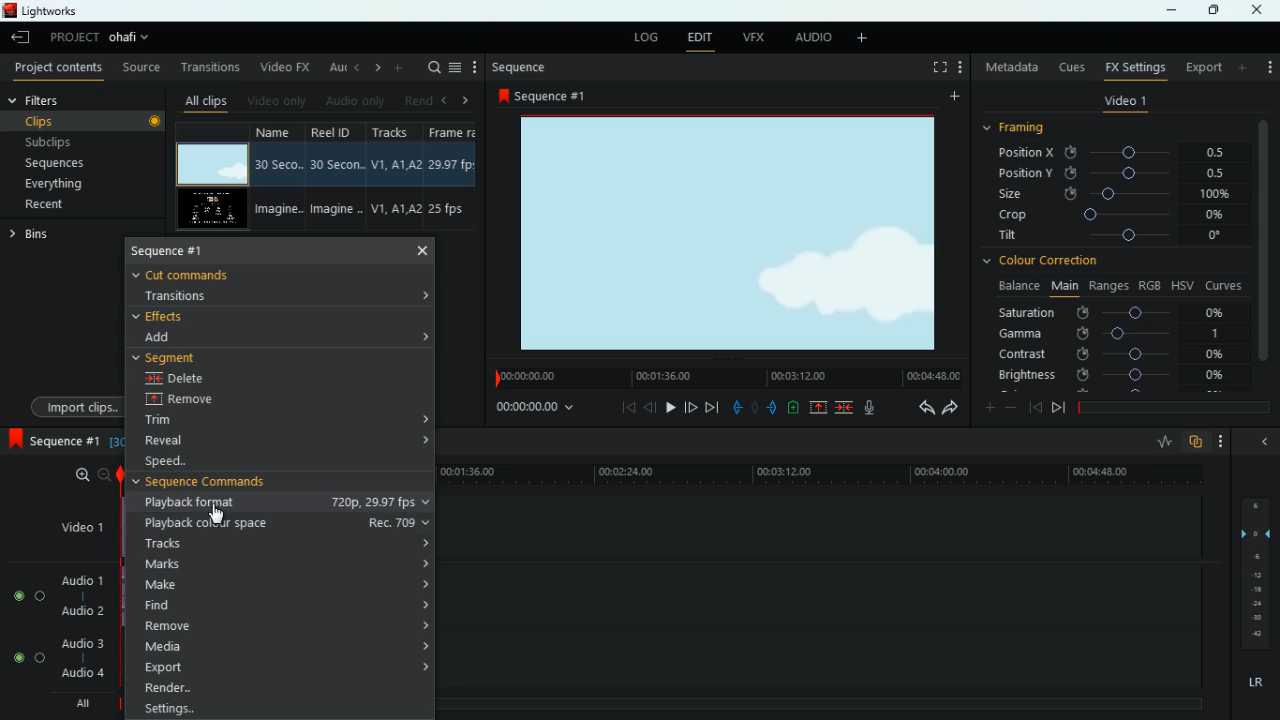 The image size is (1280, 720). What do you see at coordinates (275, 177) in the screenshot?
I see `name` at bounding box center [275, 177].